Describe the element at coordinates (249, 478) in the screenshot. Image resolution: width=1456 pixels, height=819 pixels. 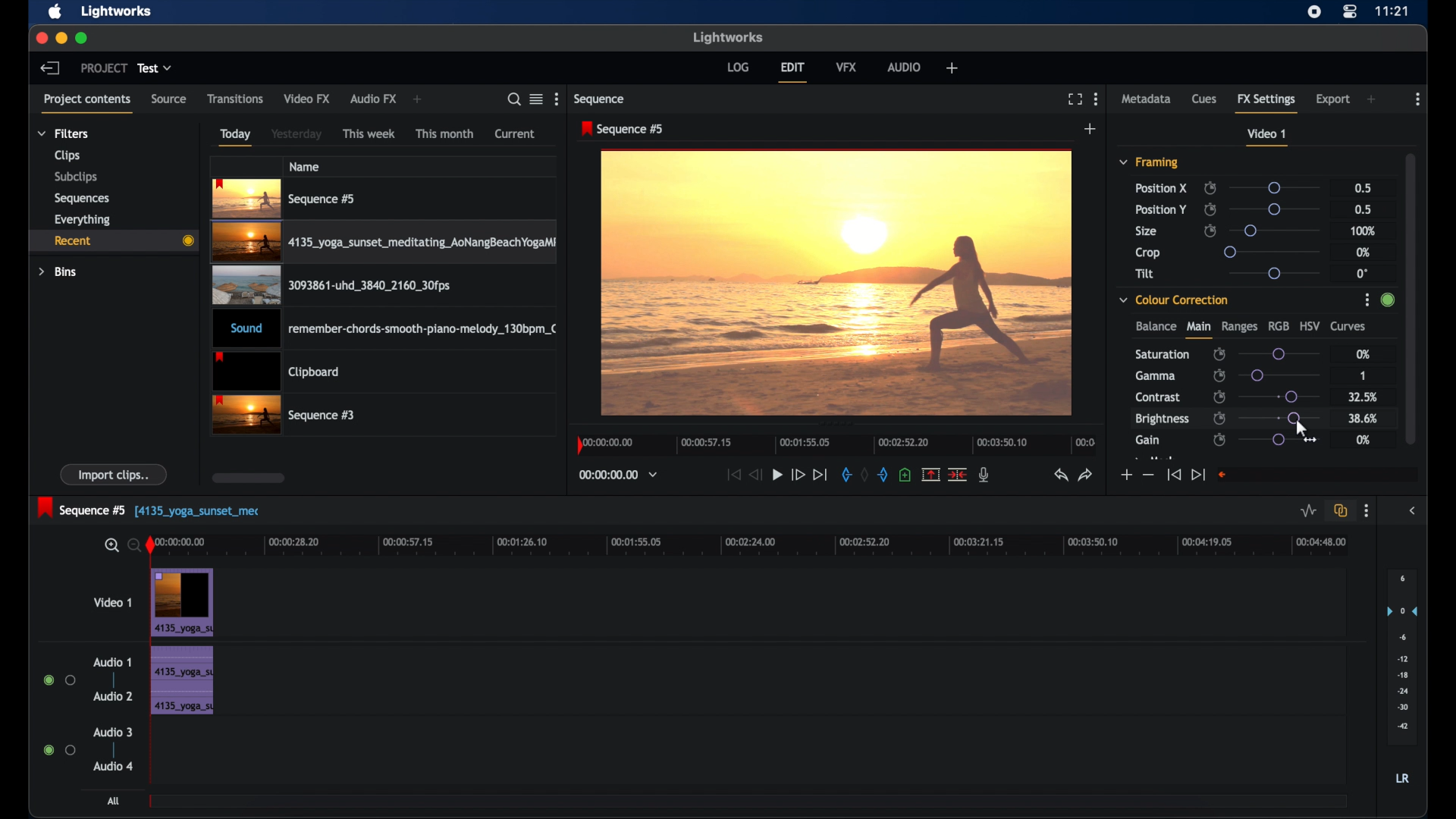
I see `scroll box` at that location.